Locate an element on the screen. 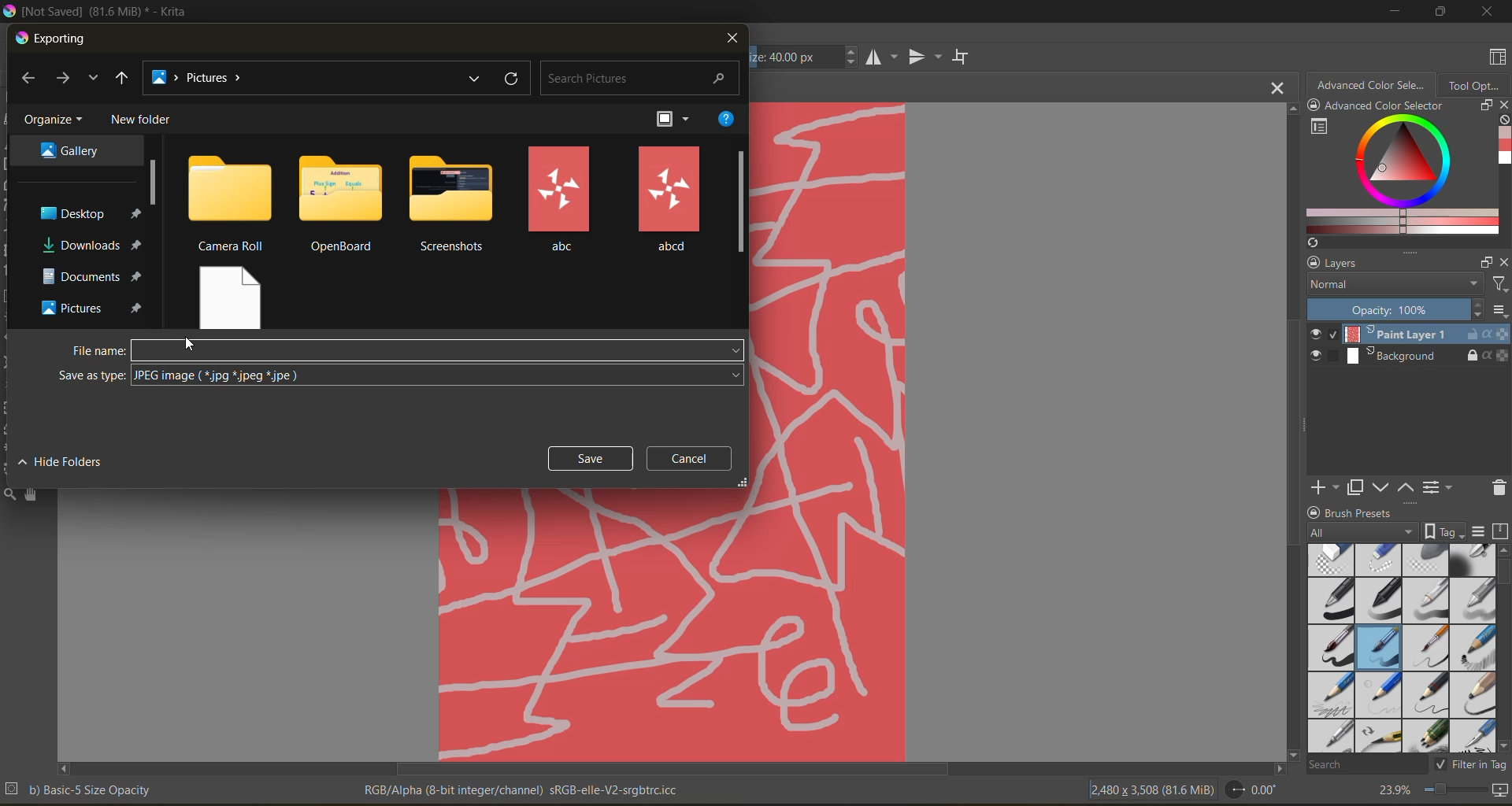 The image size is (1512, 806). file name and app name is located at coordinates (100, 12).